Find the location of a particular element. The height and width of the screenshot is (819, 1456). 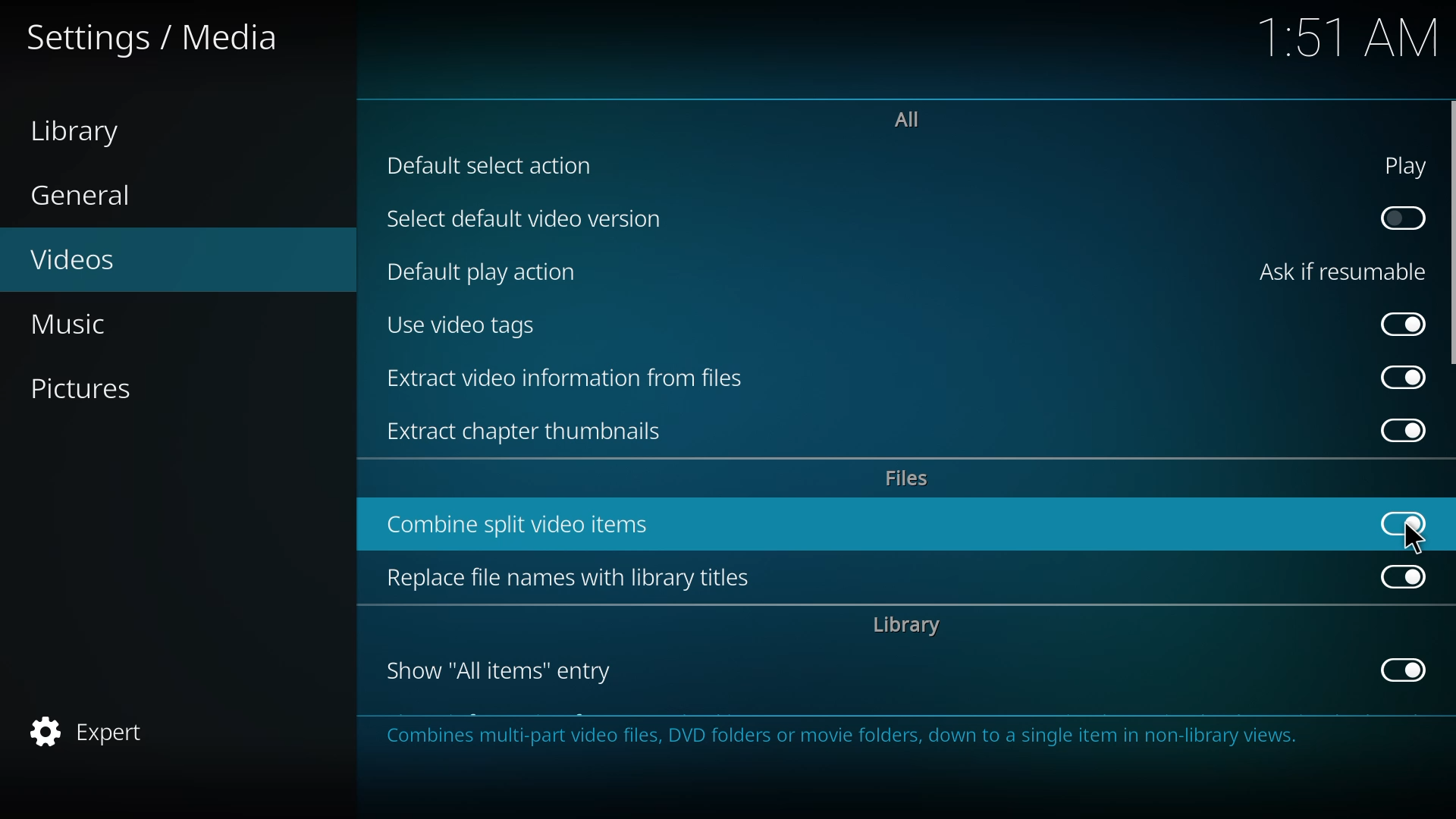

general is located at coordinates (84, 198).